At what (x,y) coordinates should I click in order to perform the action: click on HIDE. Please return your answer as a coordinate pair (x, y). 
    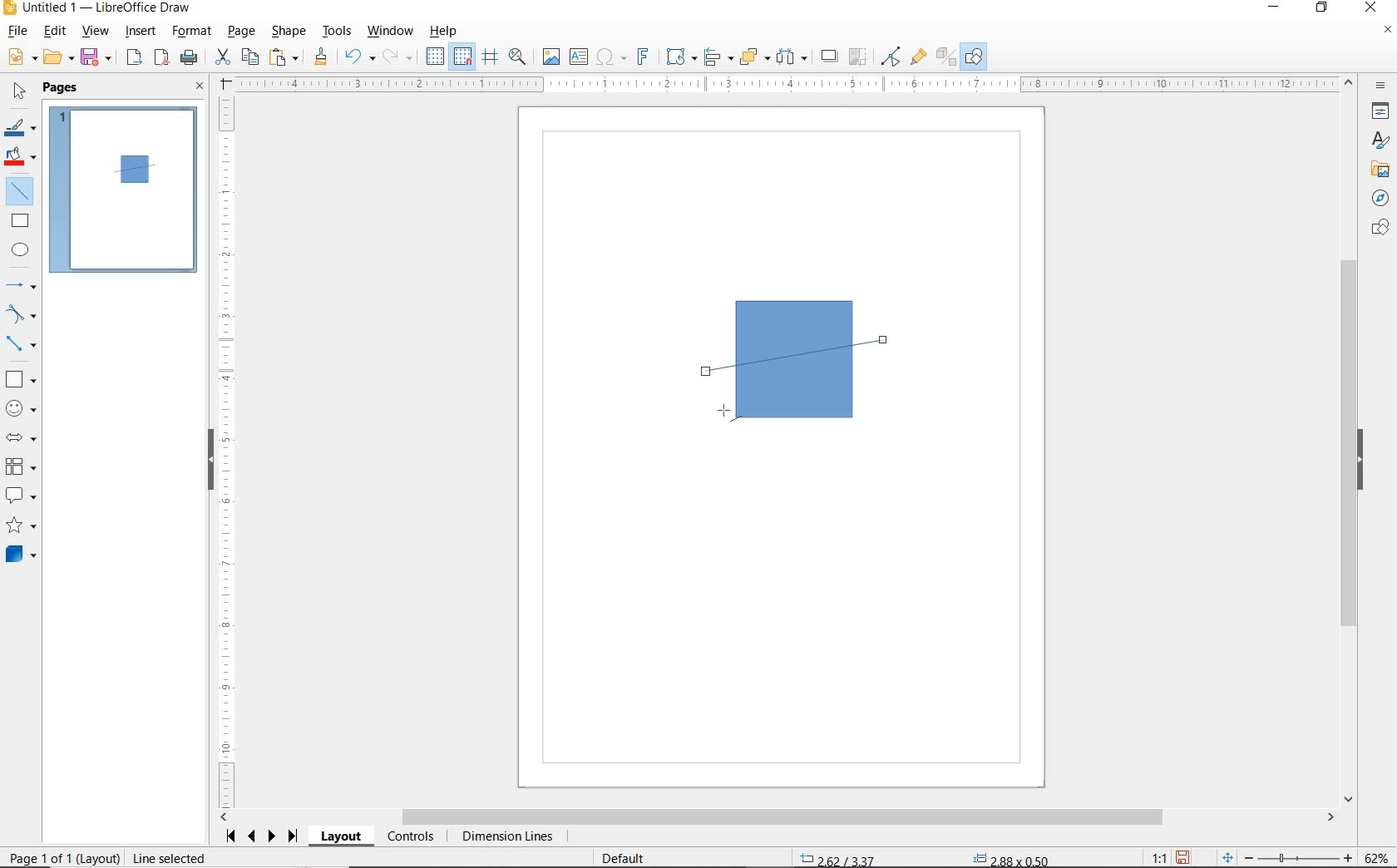
    Looking at the image, I should click on (210, 461).